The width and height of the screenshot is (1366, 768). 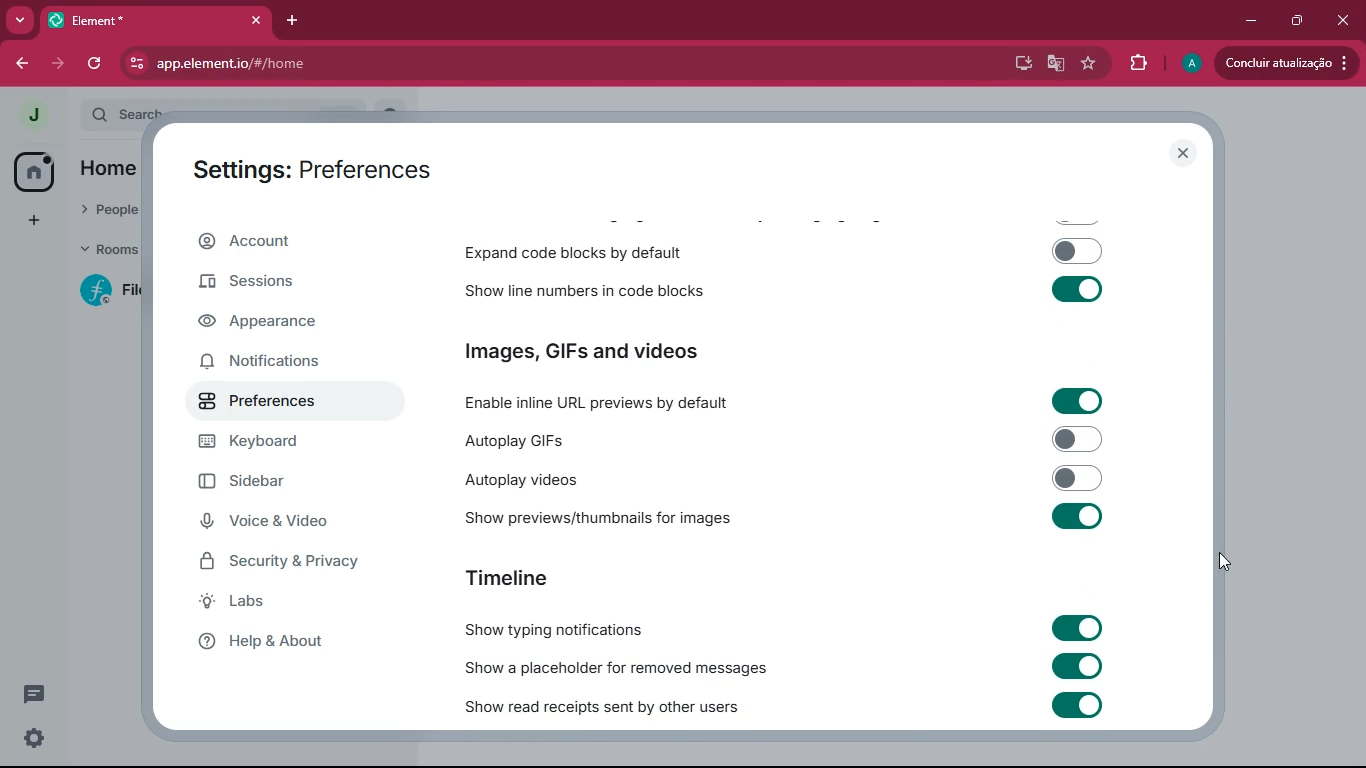 I want to click on account, so click(x=292, y=240).